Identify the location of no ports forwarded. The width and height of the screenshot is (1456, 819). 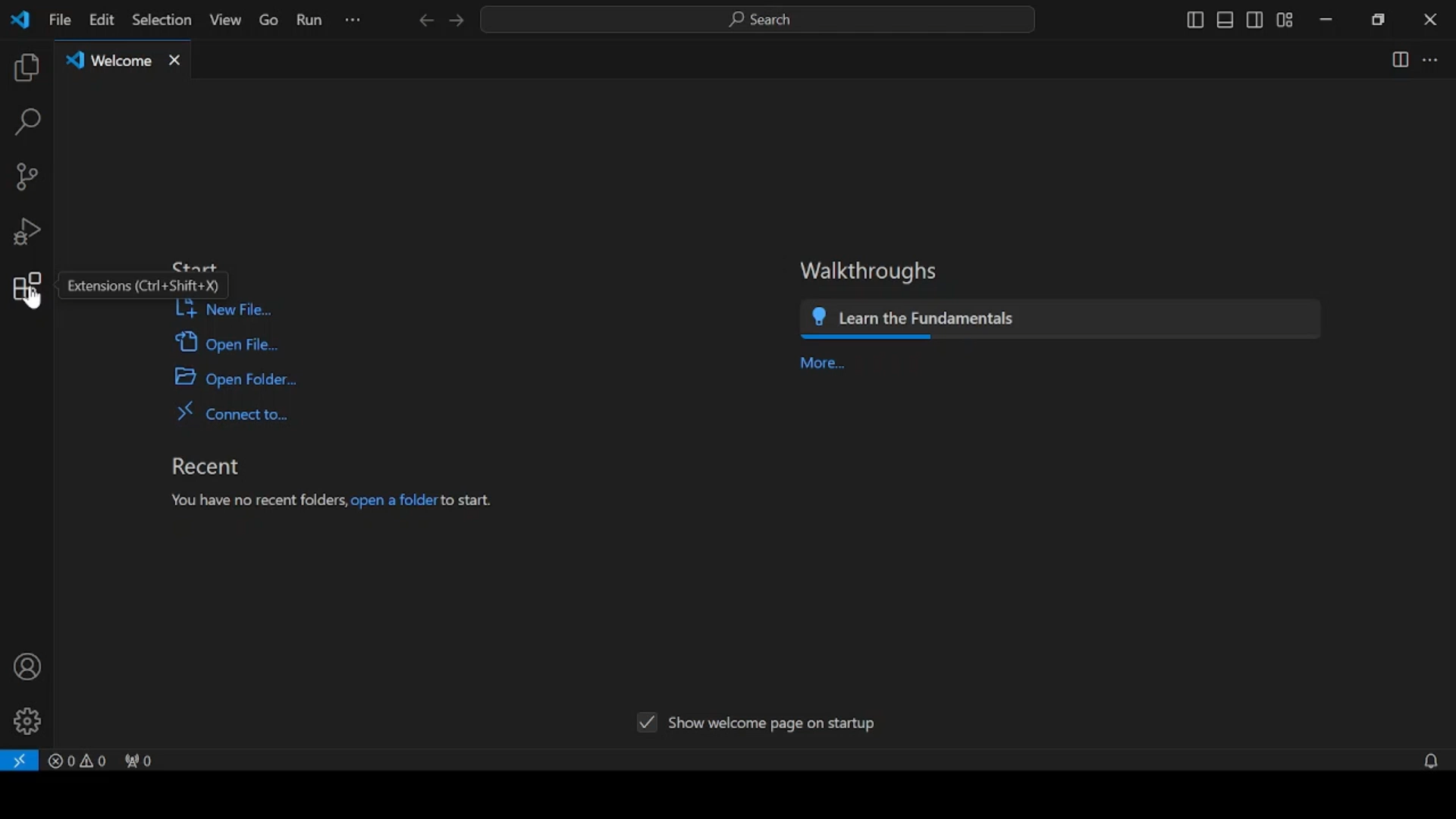
(147, 759).